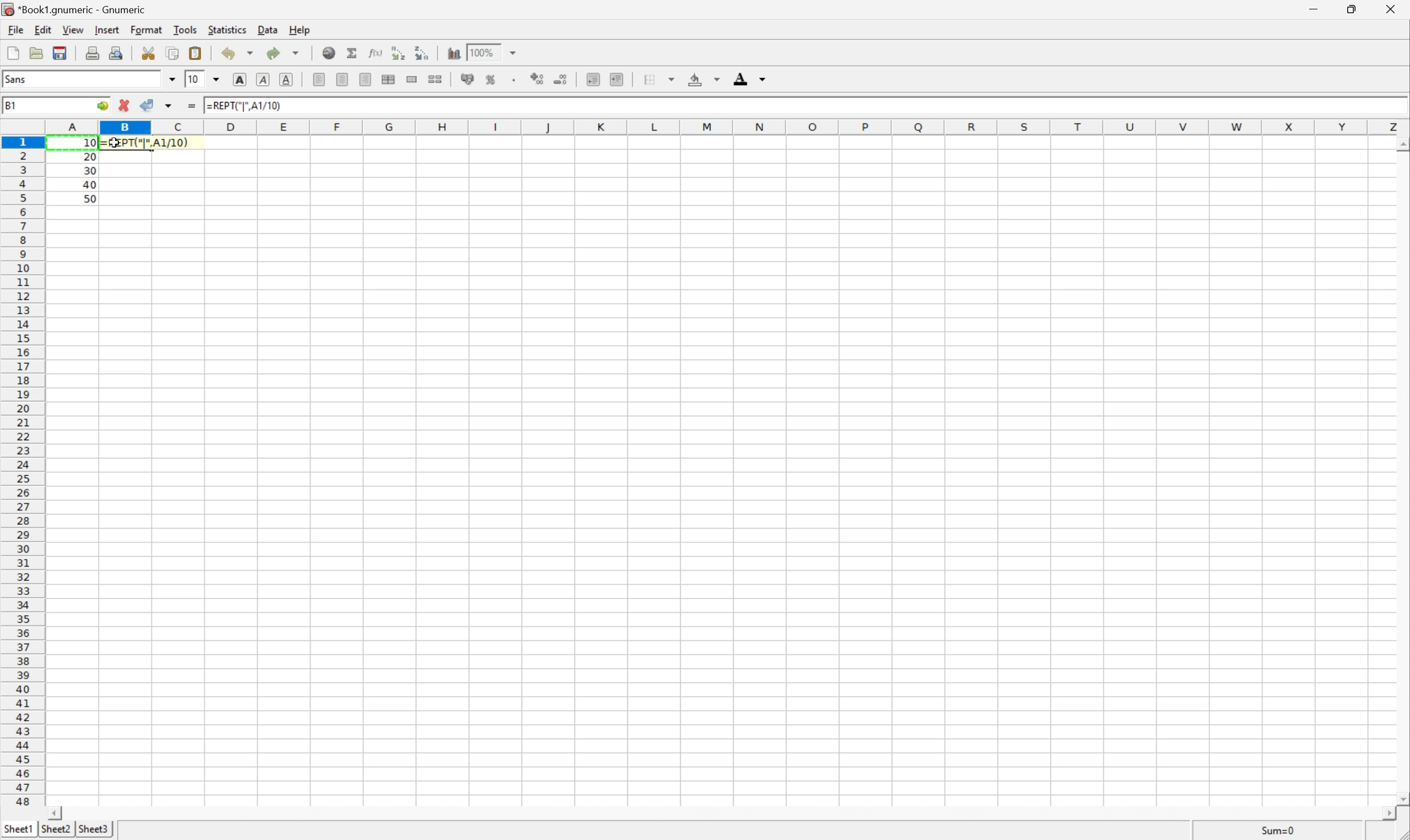 This screenshot has width=1410, height=840. Describe the element at coordinates (422, 52) in the screenshot. I see `Sort the selected region in descending order based on the first column selected` at that location.